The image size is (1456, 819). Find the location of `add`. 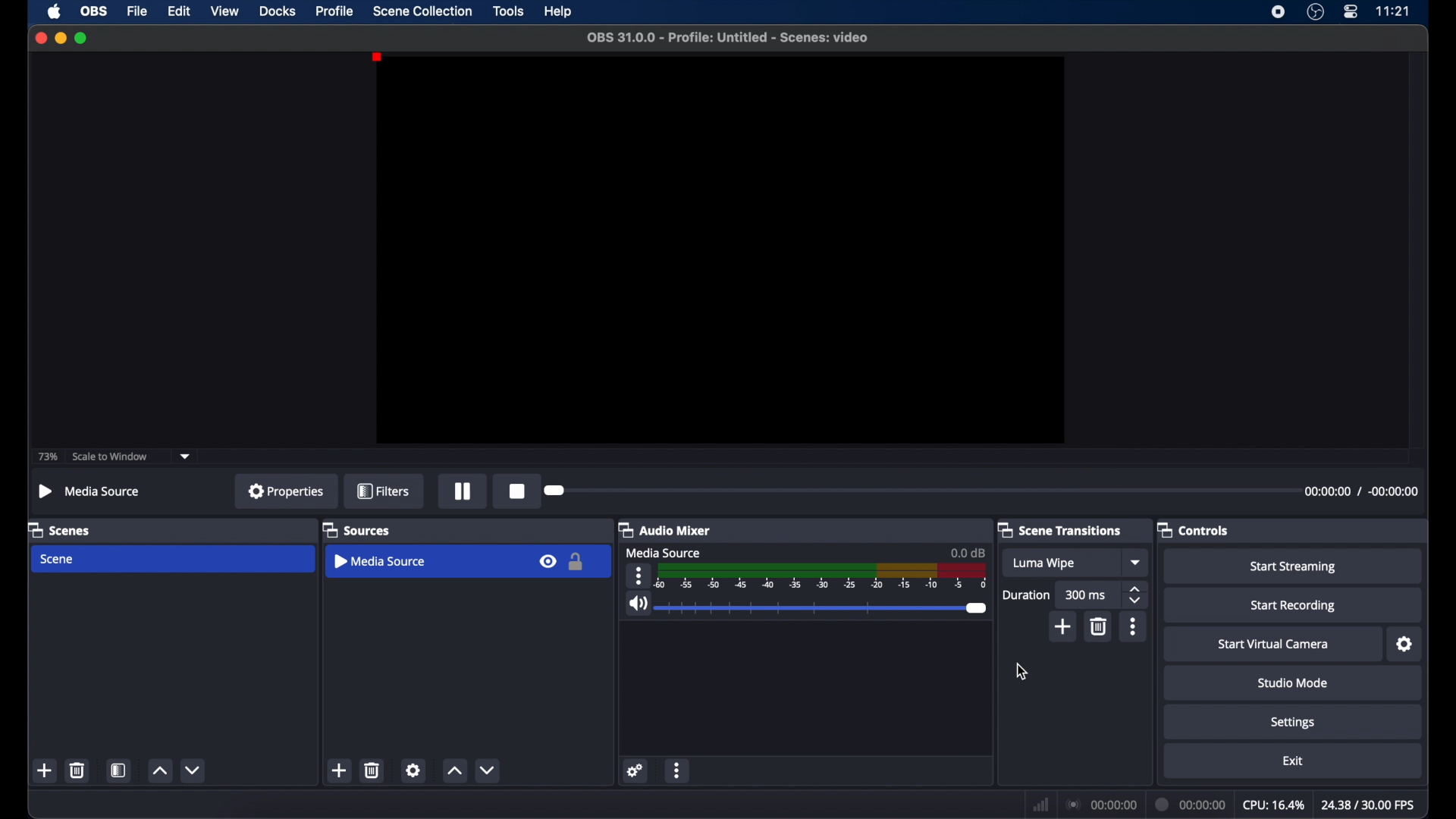

add is located at coordinates (340, 770).